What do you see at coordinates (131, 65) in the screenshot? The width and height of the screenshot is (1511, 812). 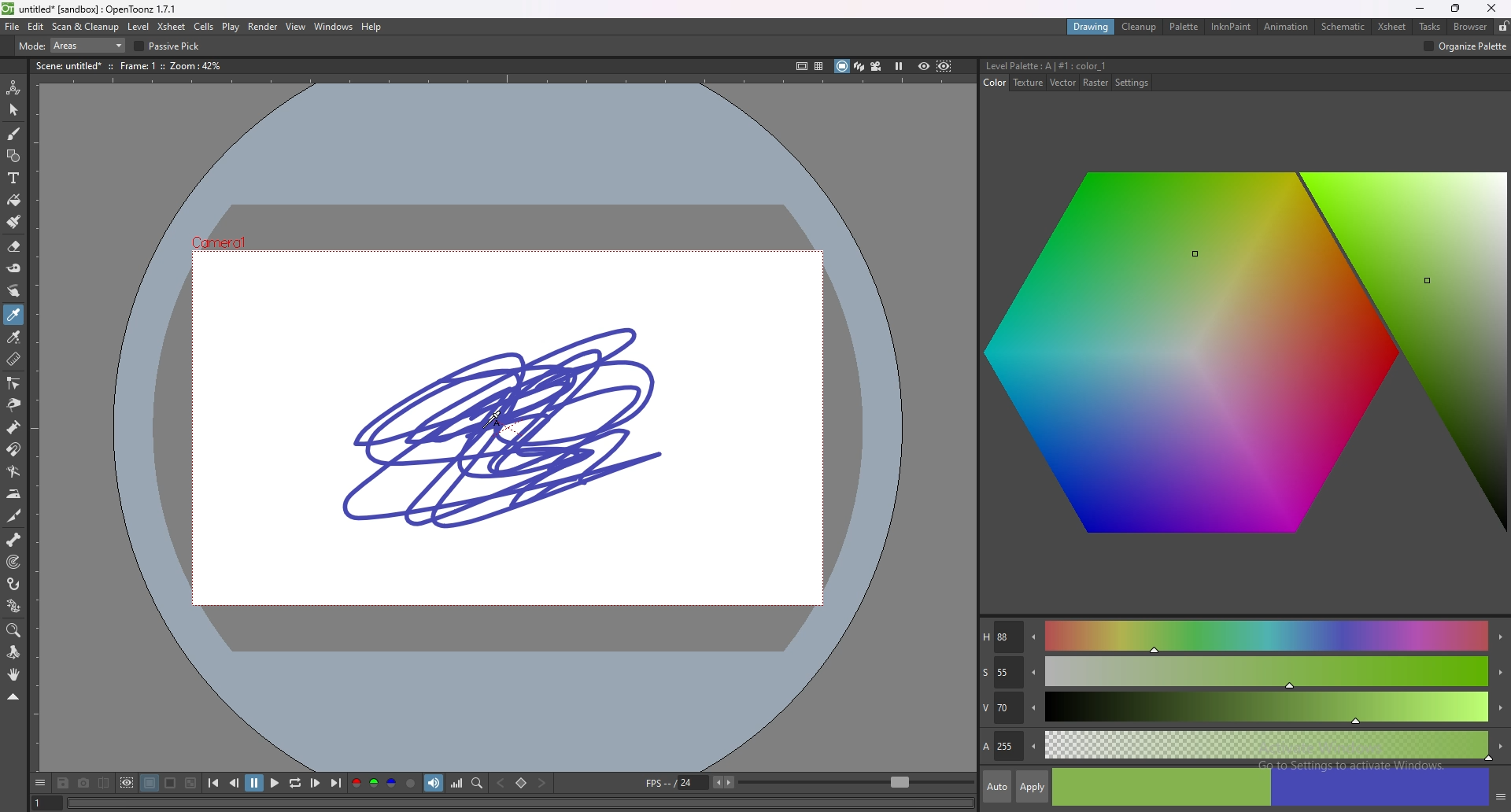 I see `description` at bounding box center [131, 65].